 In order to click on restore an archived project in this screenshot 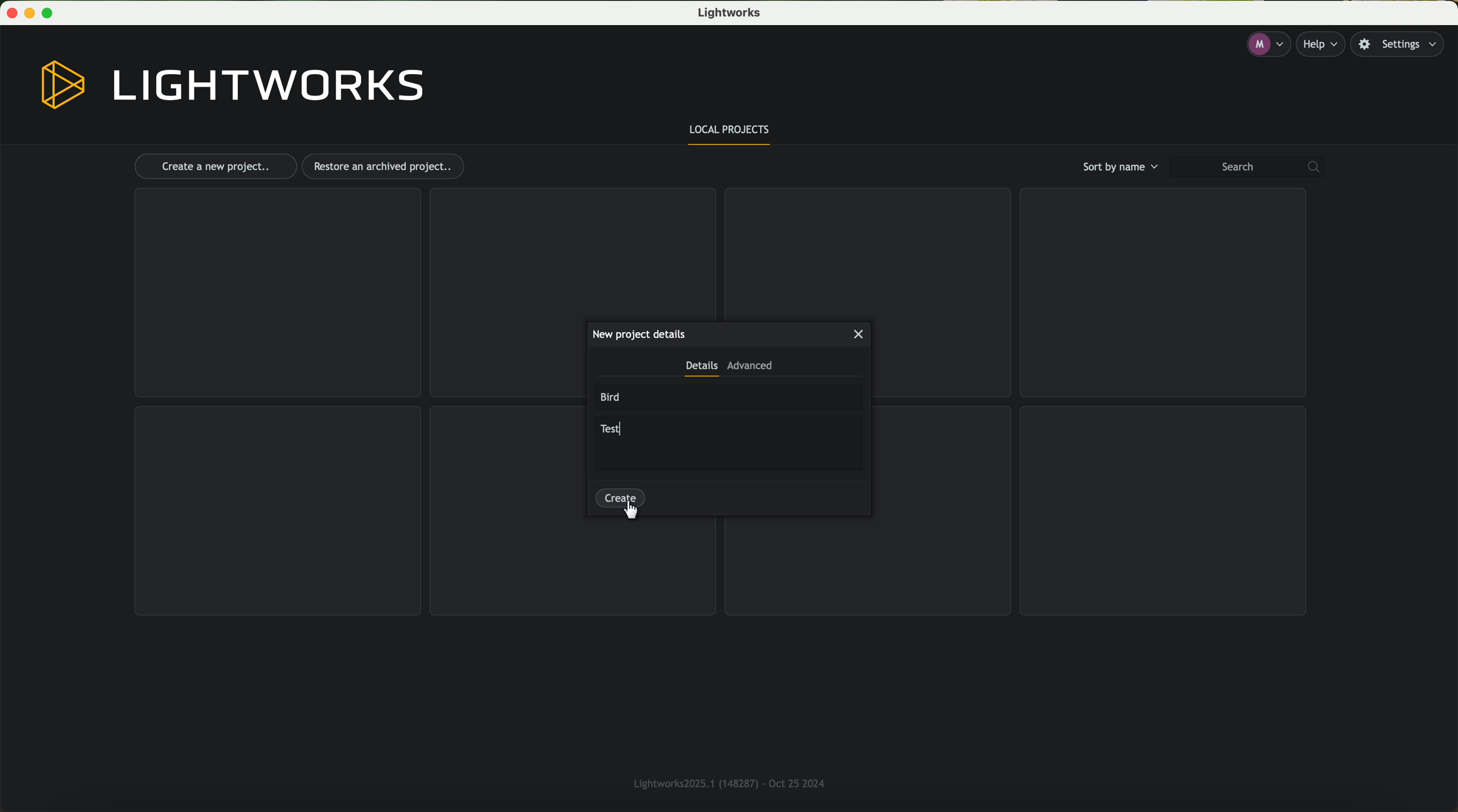, I will do `click(386, 166)`.